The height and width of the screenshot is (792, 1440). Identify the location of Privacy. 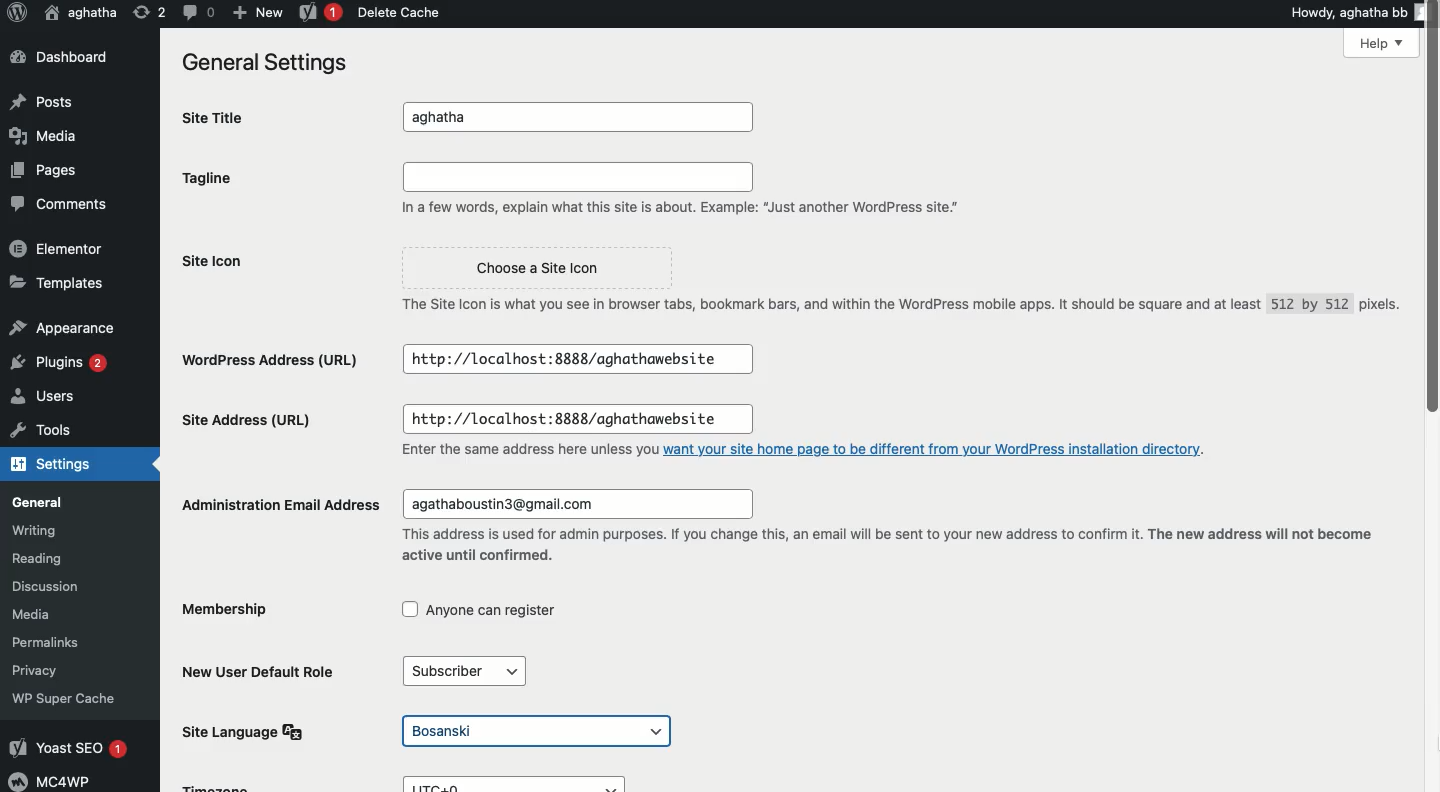
(44, 669).